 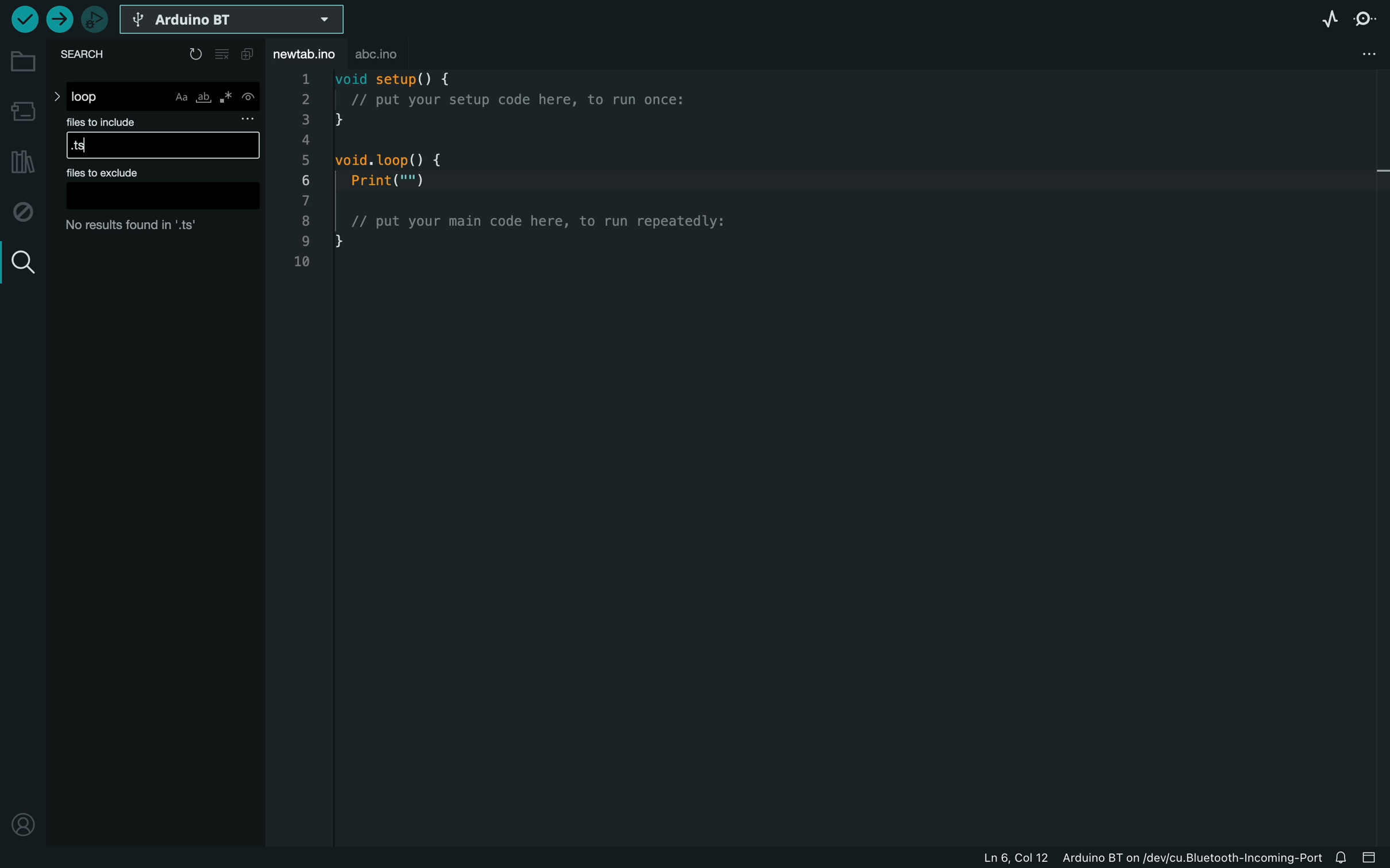 What do you see at coordinates (23, 818) in the screenshot?
I see `profile` at bounding box center [23, 818].